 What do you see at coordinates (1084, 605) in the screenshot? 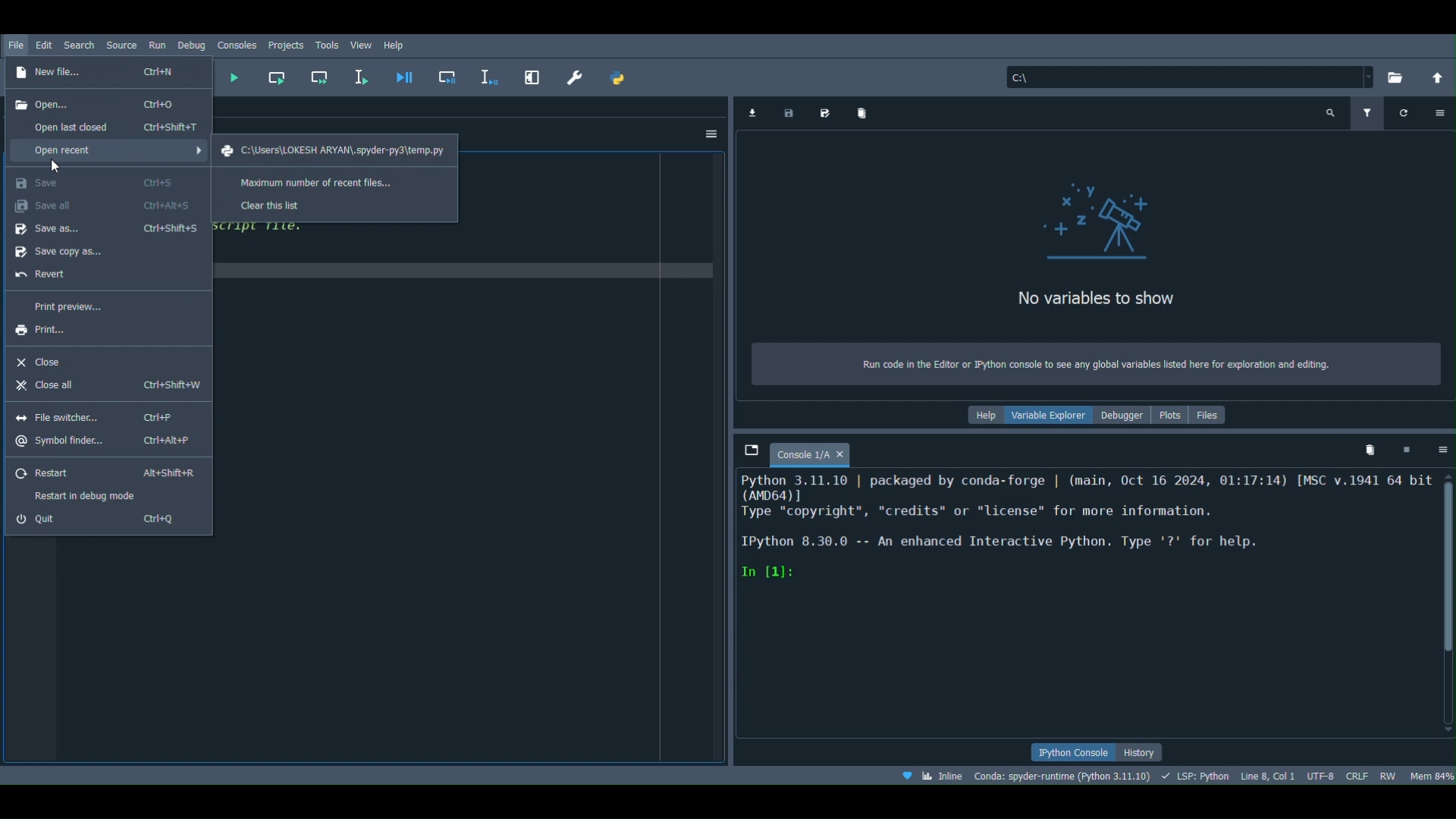
I see `Console editor` at bounding box center [1084, 605].